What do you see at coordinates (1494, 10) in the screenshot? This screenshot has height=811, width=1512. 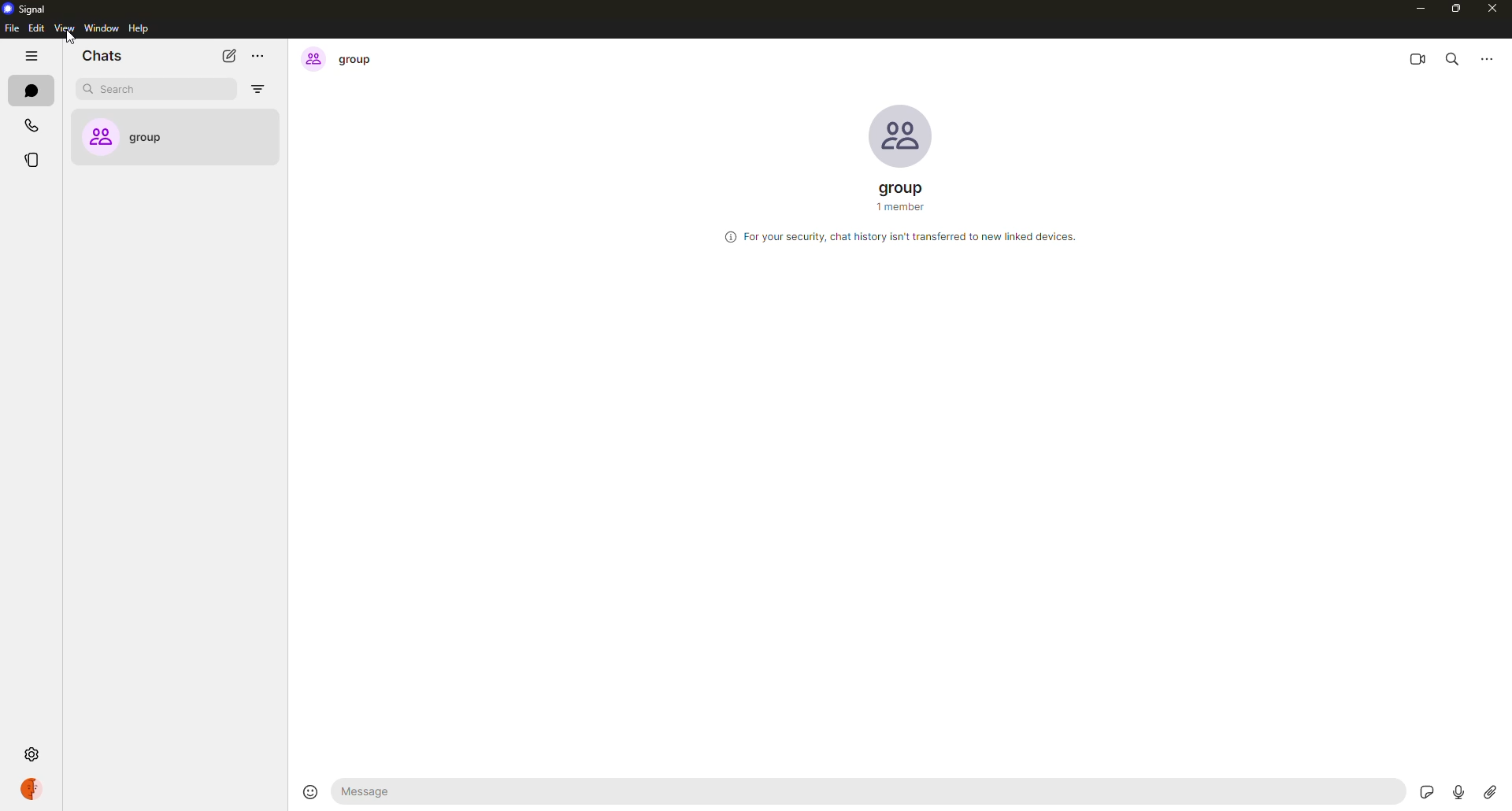 I see `close` at bounding box center [1494, 10].